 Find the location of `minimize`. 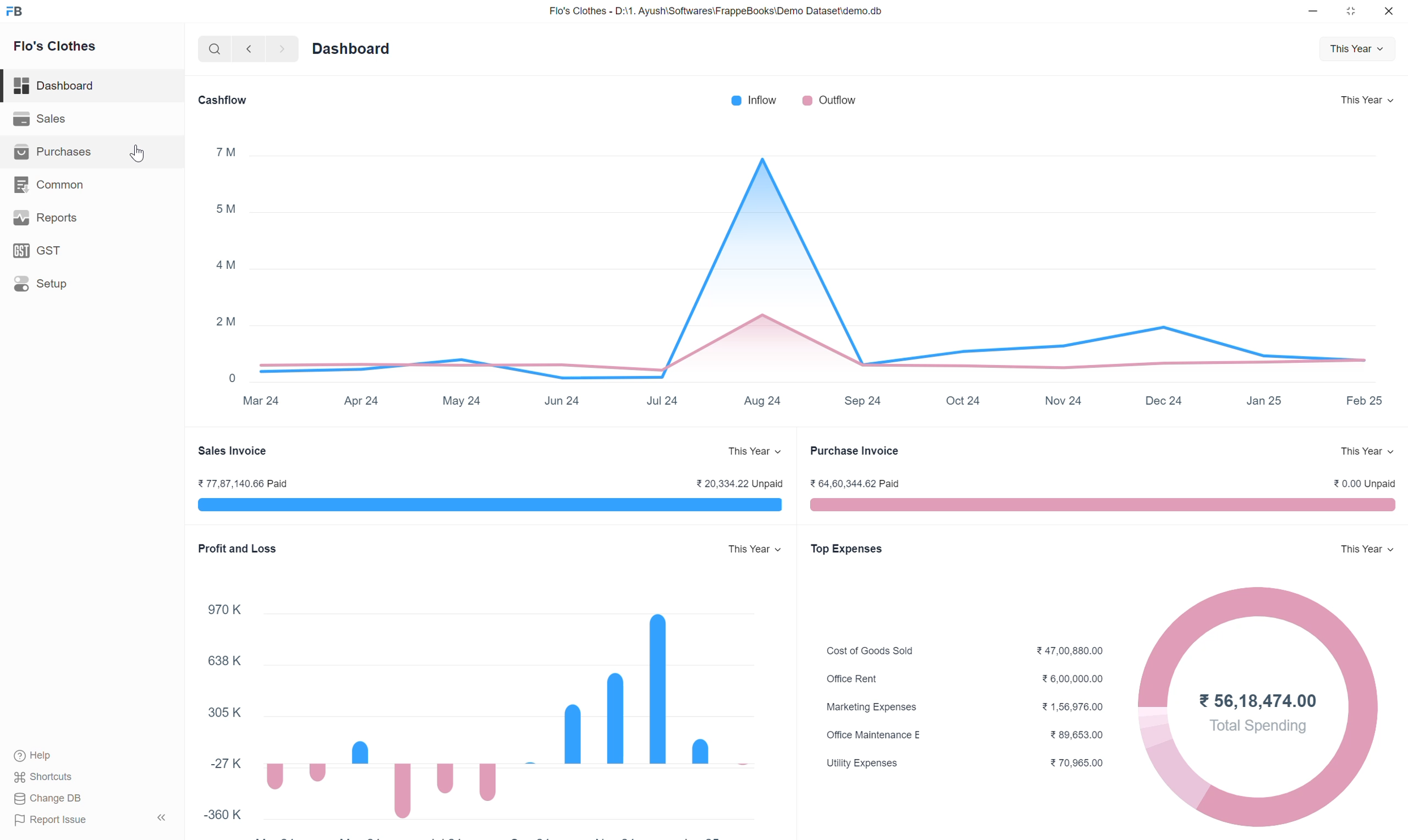

minimize is located at coordinates (1314, 12).